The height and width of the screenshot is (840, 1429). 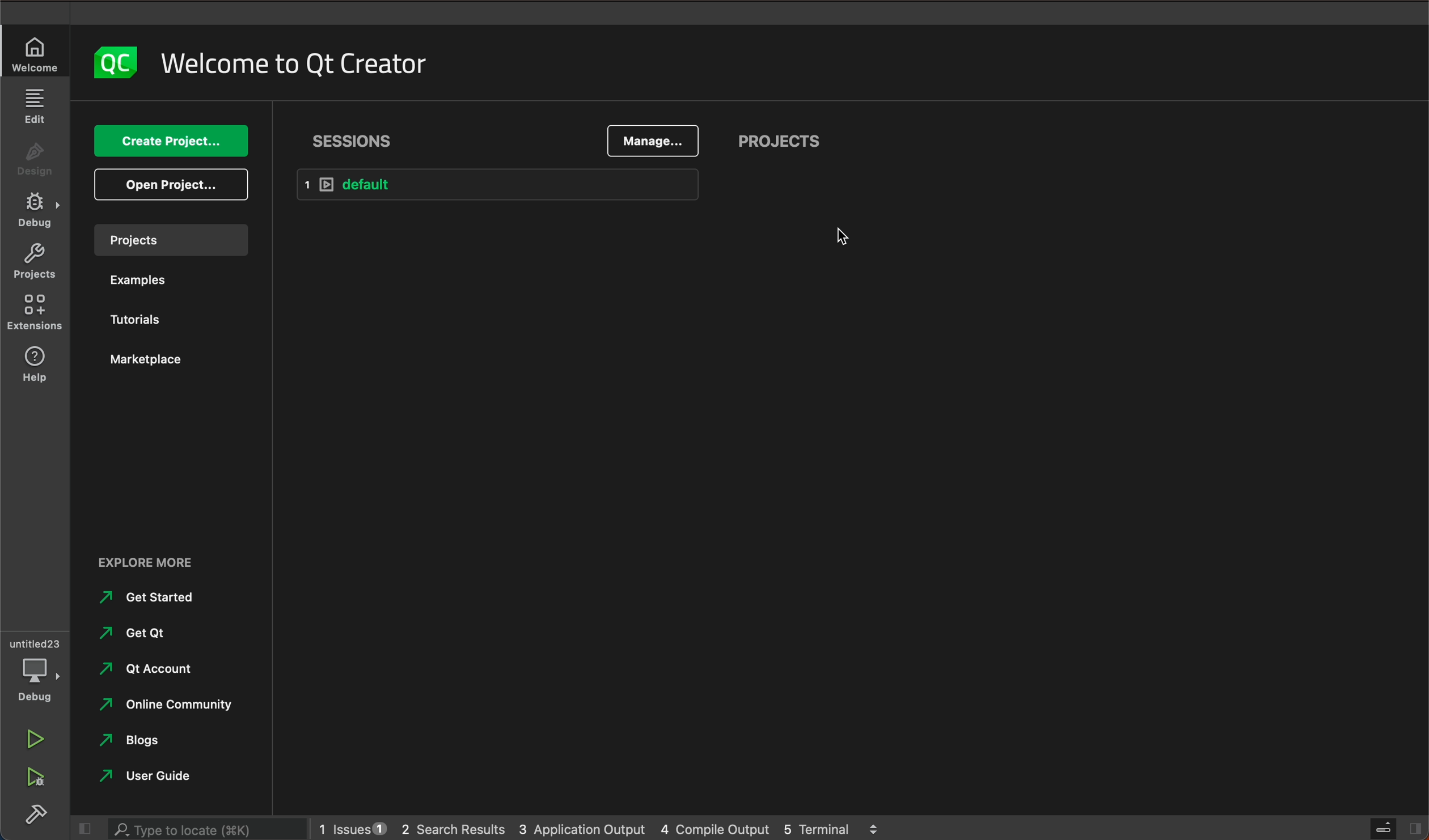 I want to click on welcome, so click(x=298, y=68).